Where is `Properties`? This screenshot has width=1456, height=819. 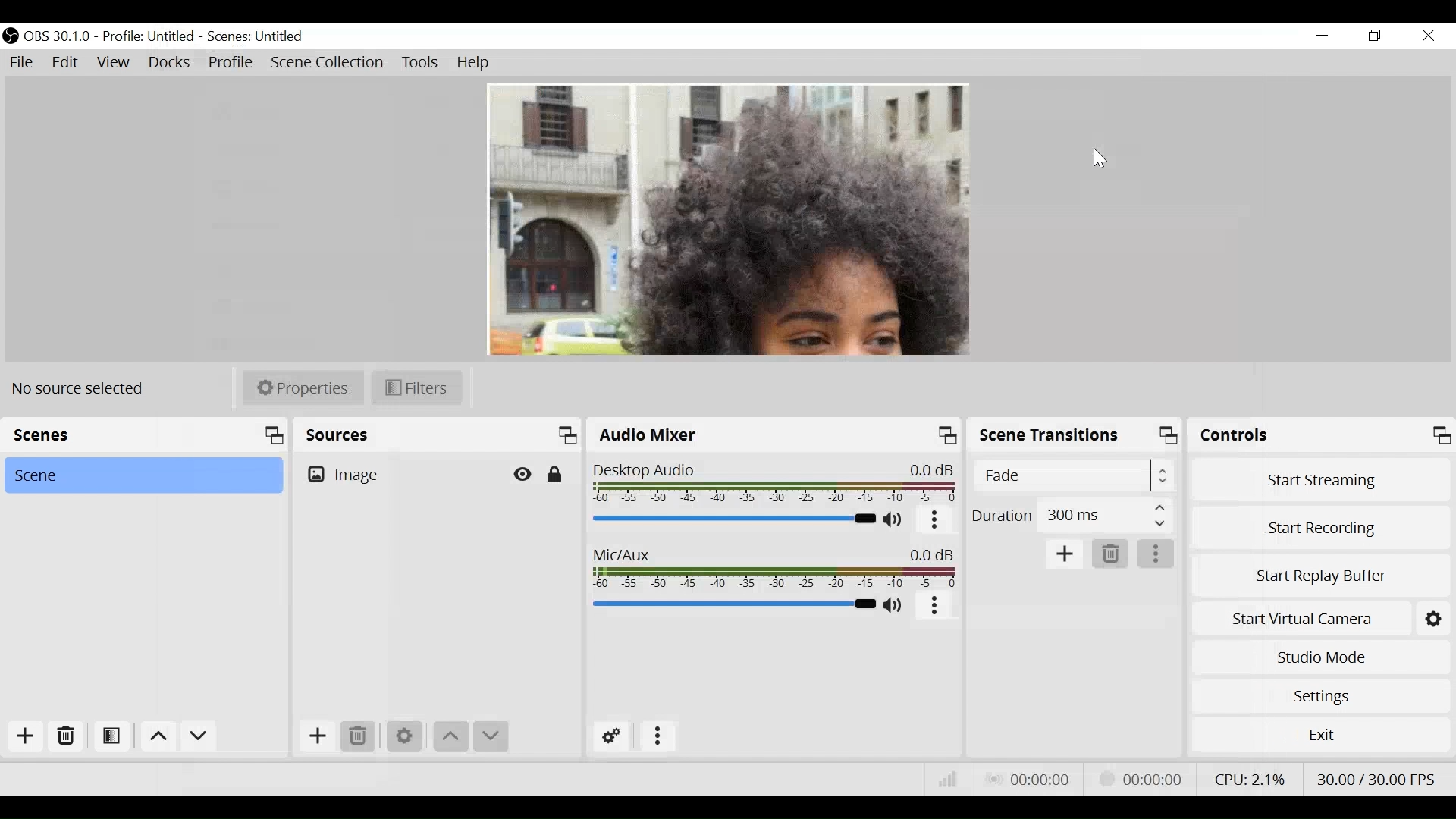
Properties is located at coordinates (301, 388).